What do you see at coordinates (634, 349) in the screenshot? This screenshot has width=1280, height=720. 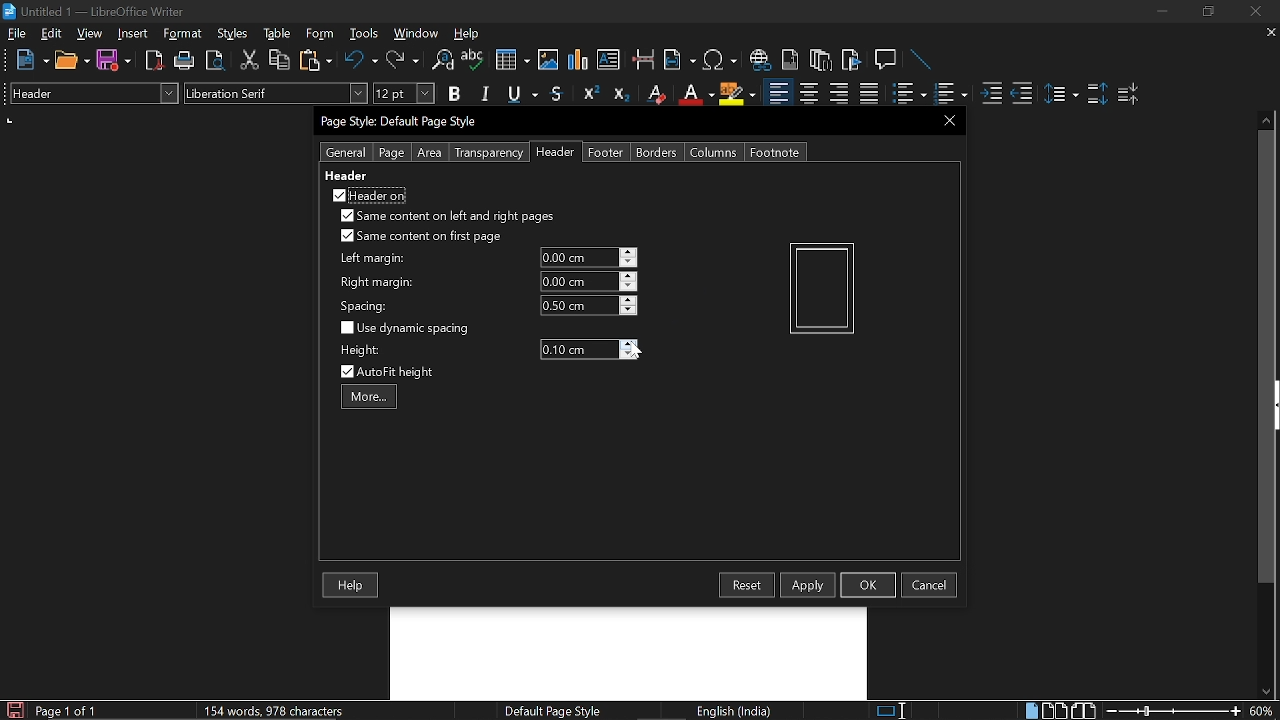 I see `cursor` at bounding box center [634, 349].